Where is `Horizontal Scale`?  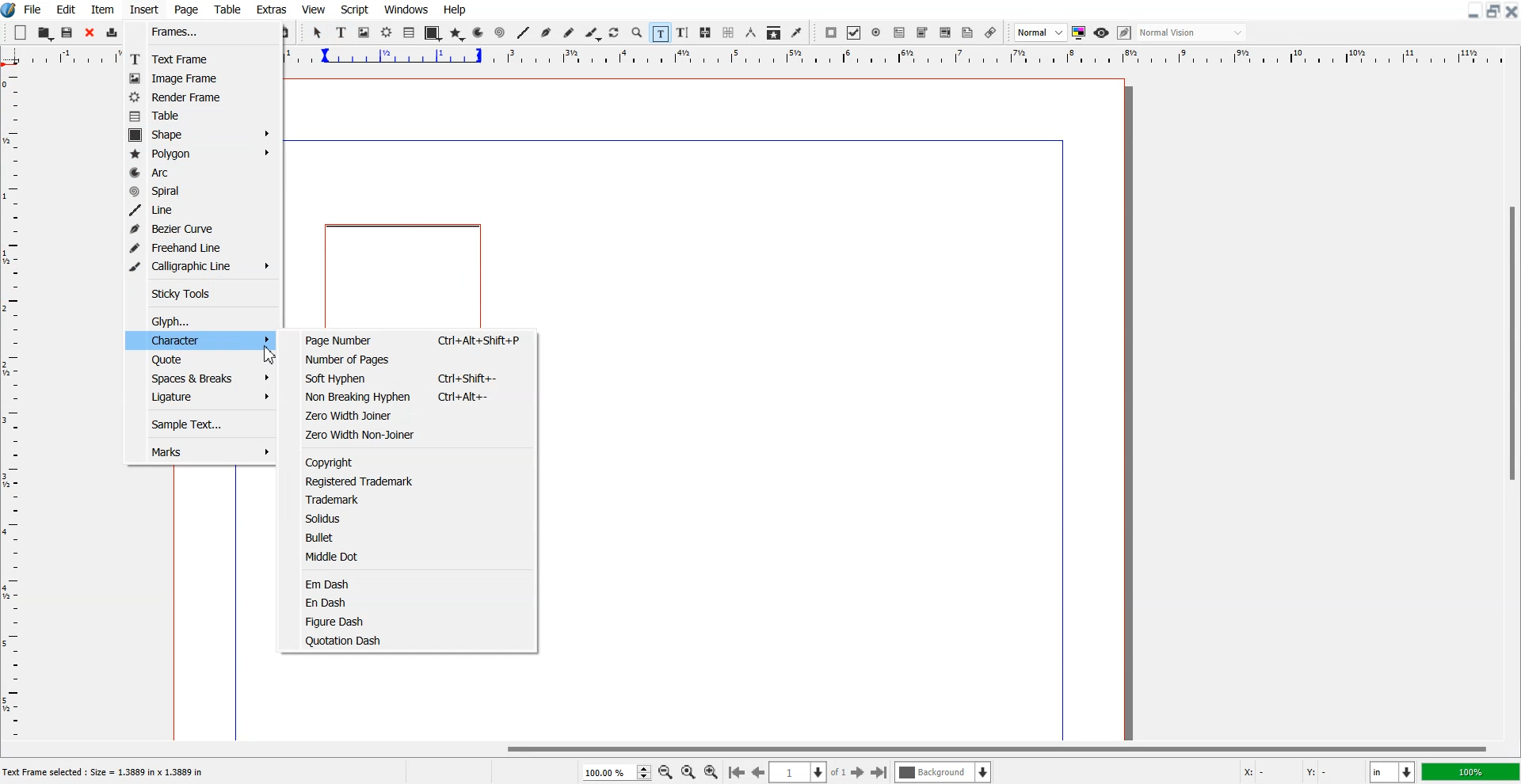 Horizontal Scale is located at coordinates (899, 58).